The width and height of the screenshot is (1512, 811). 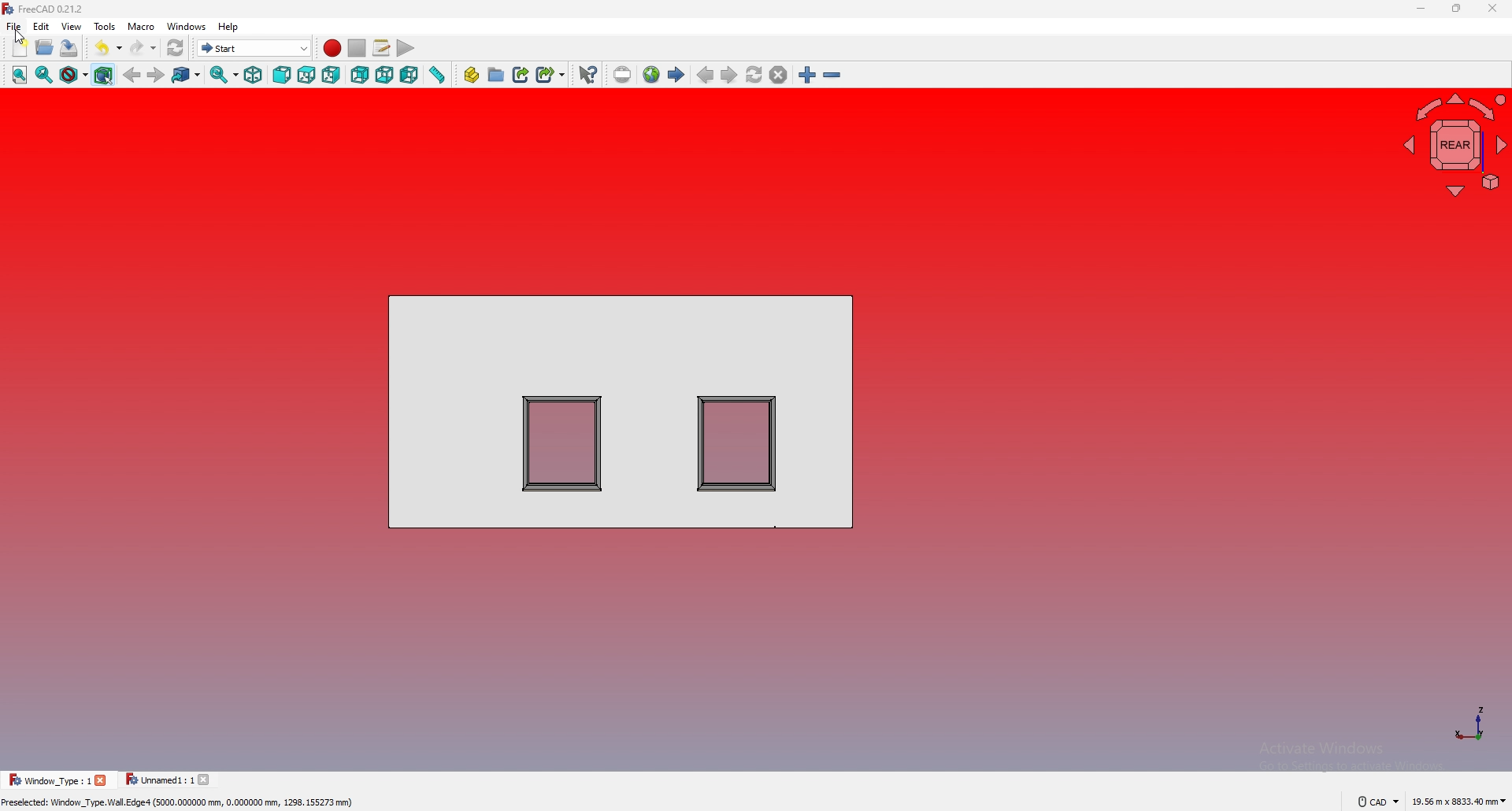 I want to click on bottom, so click(x=386, y=75).